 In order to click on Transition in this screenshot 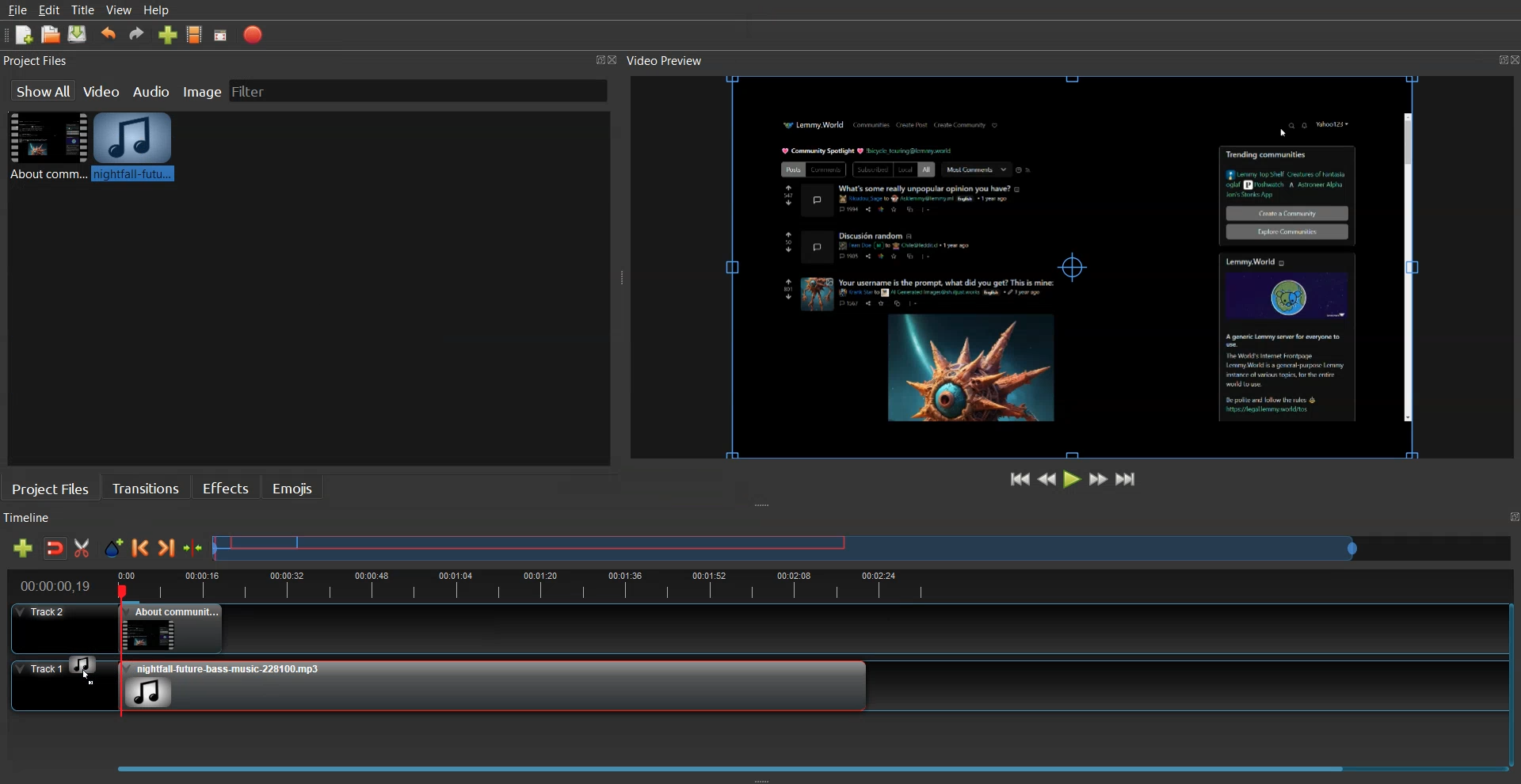, I will do `click(146, 487)`.